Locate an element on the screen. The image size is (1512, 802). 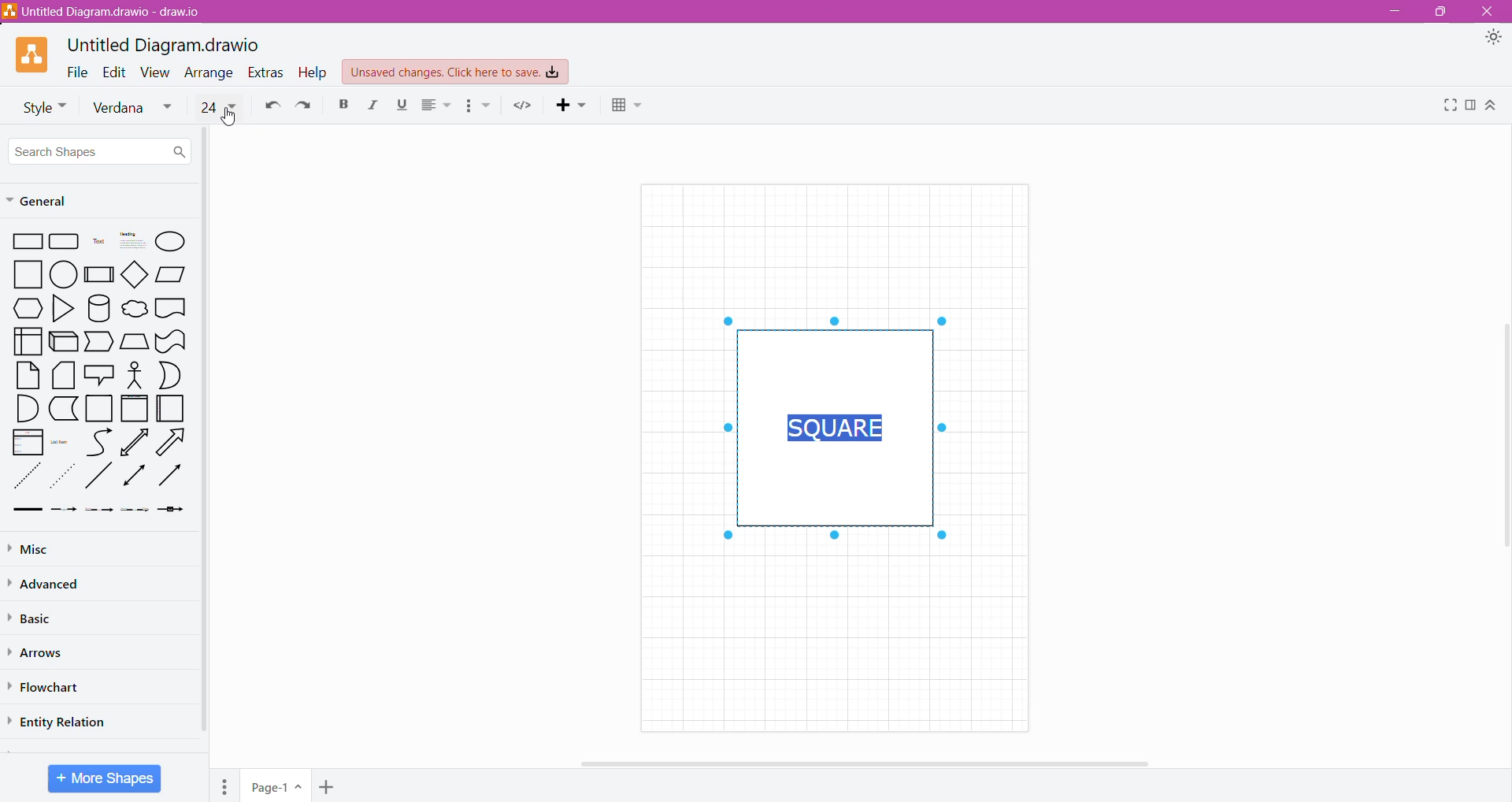
Speech Bubble is located at coordinates (100, 373).